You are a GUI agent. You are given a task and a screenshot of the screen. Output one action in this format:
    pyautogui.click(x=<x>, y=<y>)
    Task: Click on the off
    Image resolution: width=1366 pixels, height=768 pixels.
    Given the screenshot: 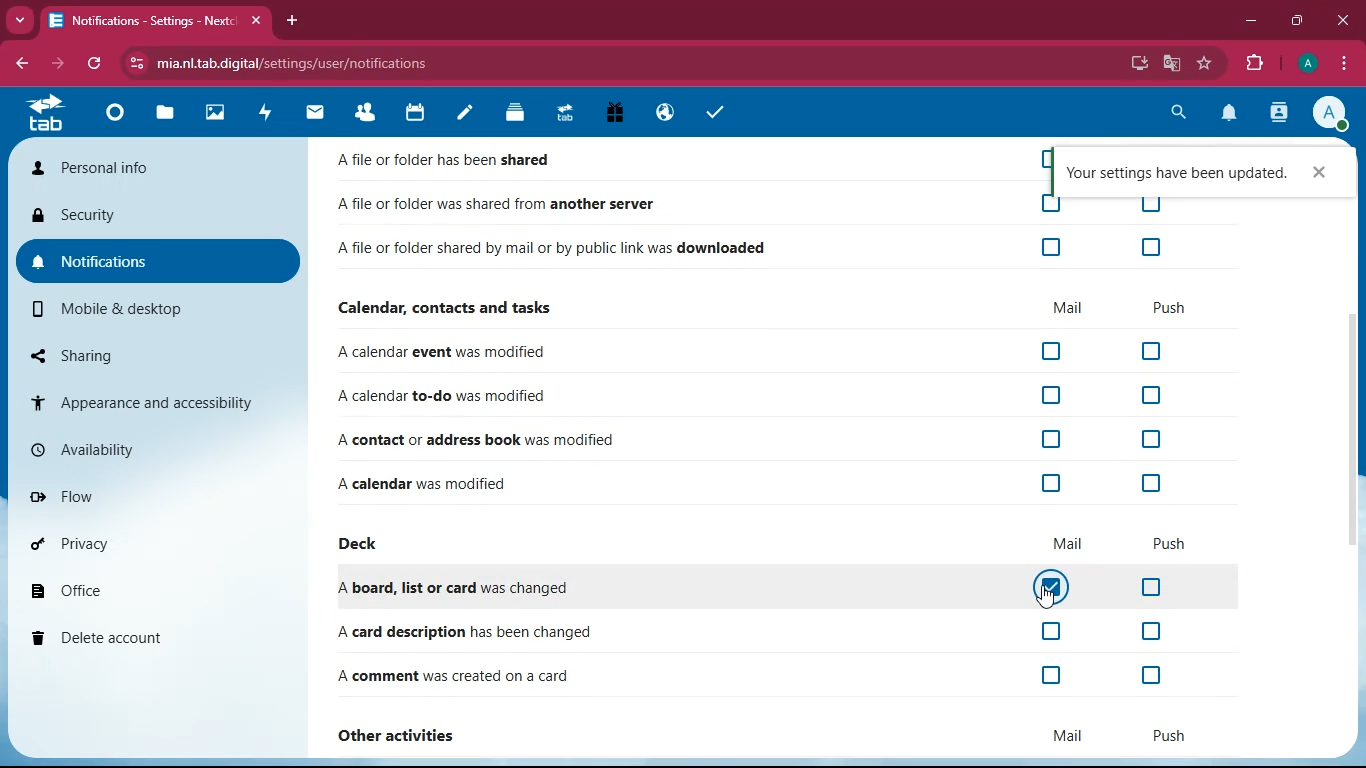 What is the action you would take?
    pyautogui.click(x=1049, y=206)
    